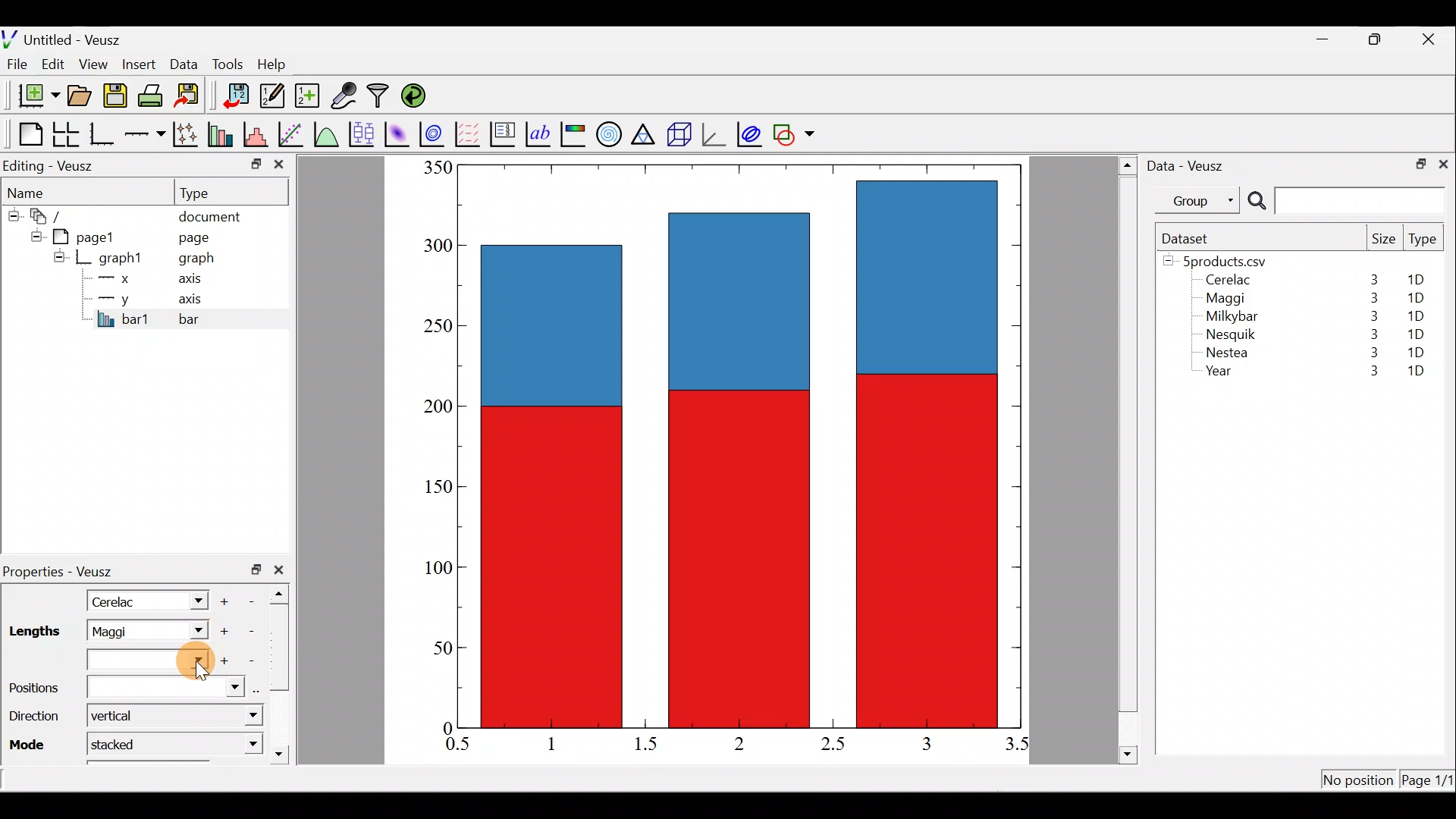 This screenshot has height=819, width=1456. Describe the element at coordinates (250, 631) in the screenshot. I see `remove item` at that location.